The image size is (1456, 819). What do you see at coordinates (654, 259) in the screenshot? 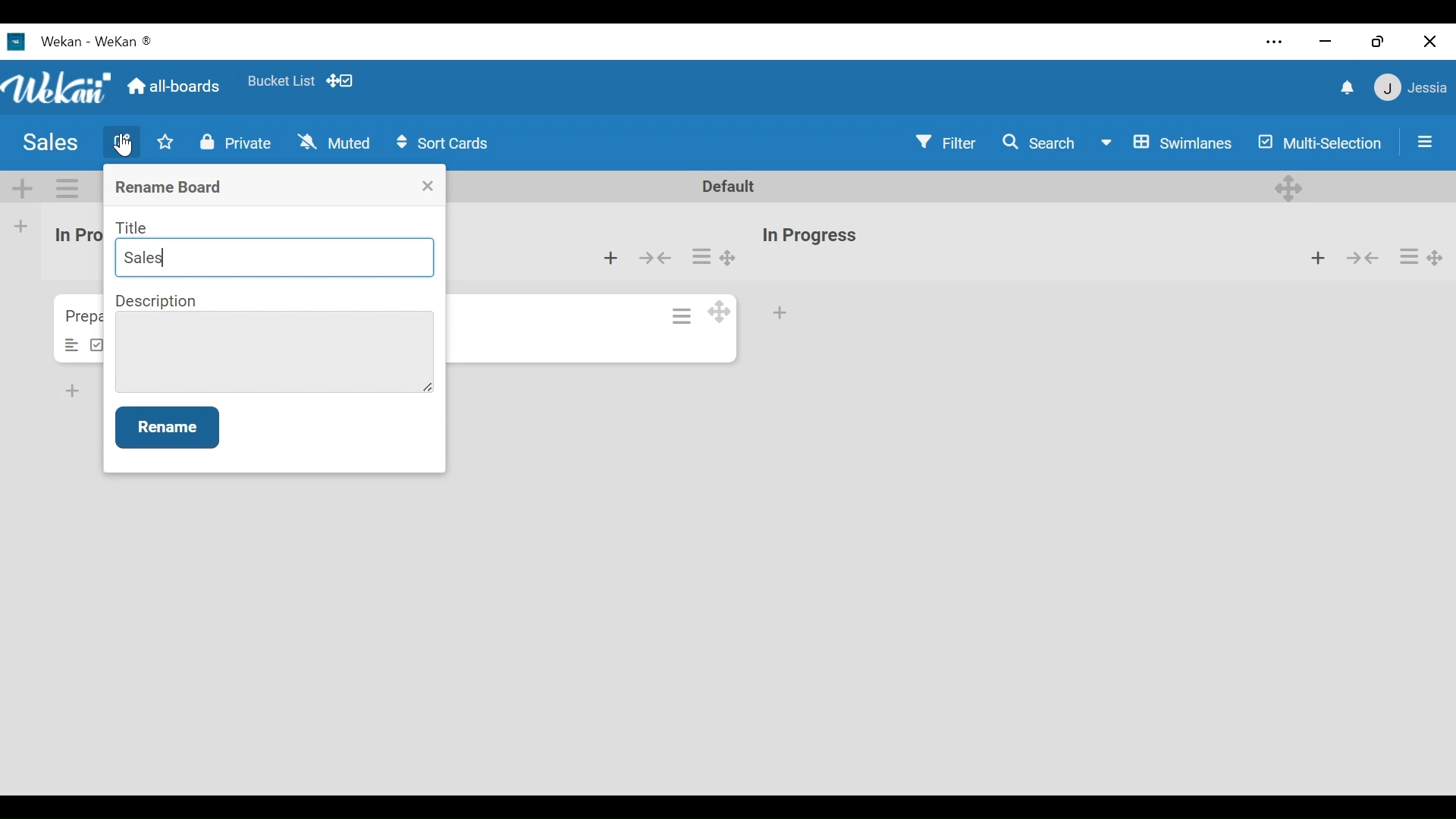
I see `Collapse` at bounding box center [654, 259].